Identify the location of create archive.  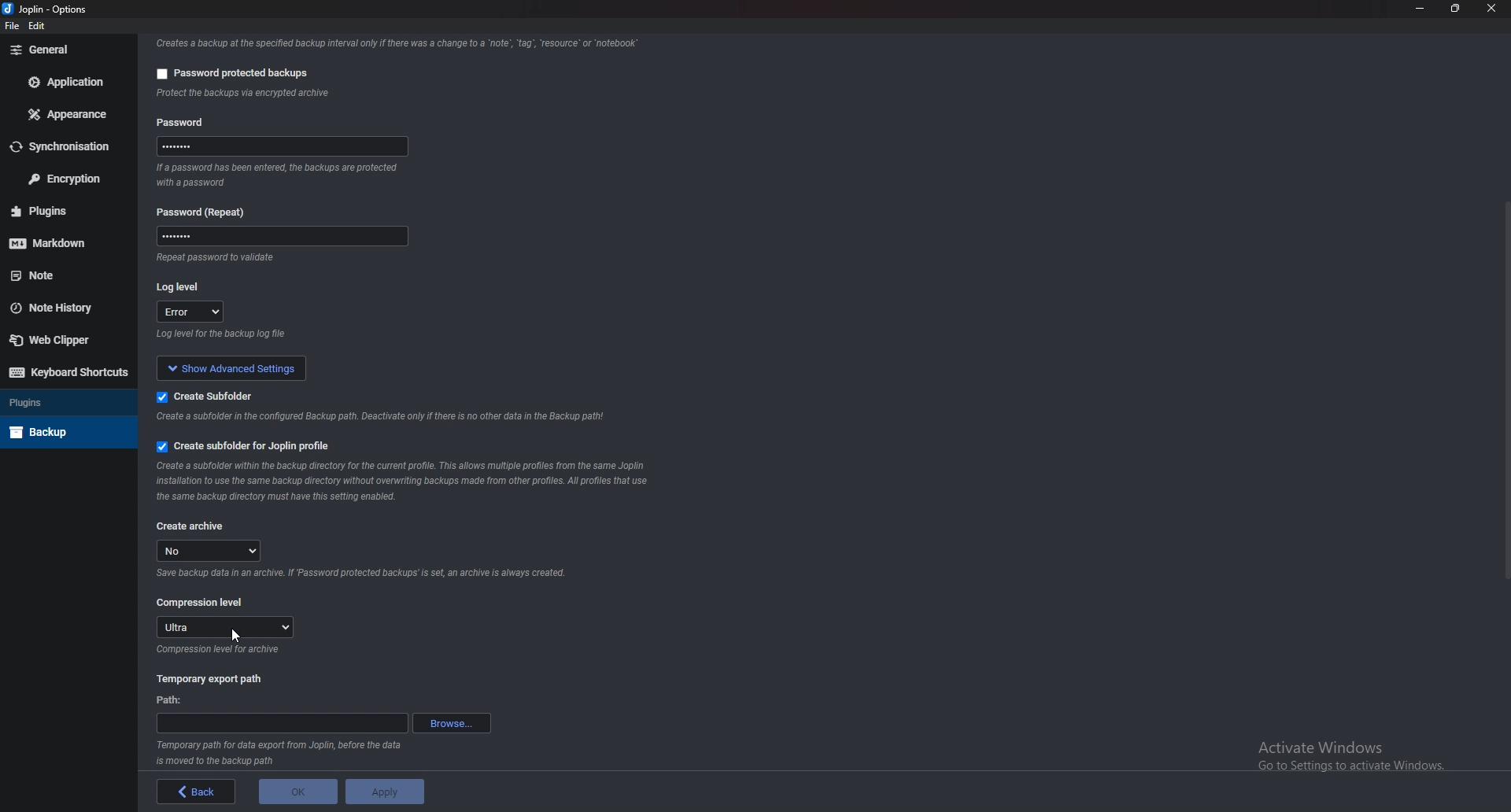
(192, 525).